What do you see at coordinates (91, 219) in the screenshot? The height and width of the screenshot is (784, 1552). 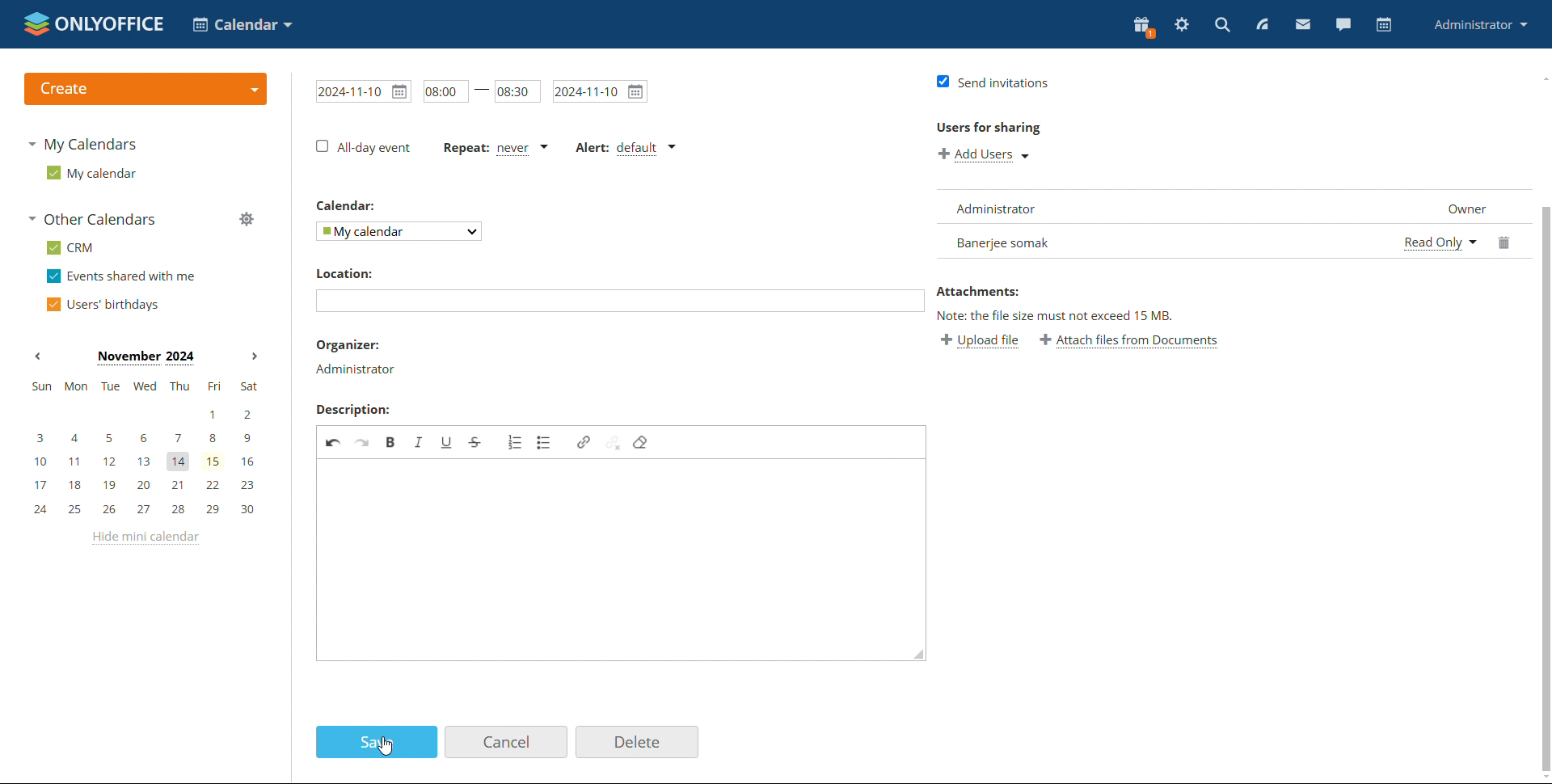 I see `other calendars` at bounding box center [91, 219].